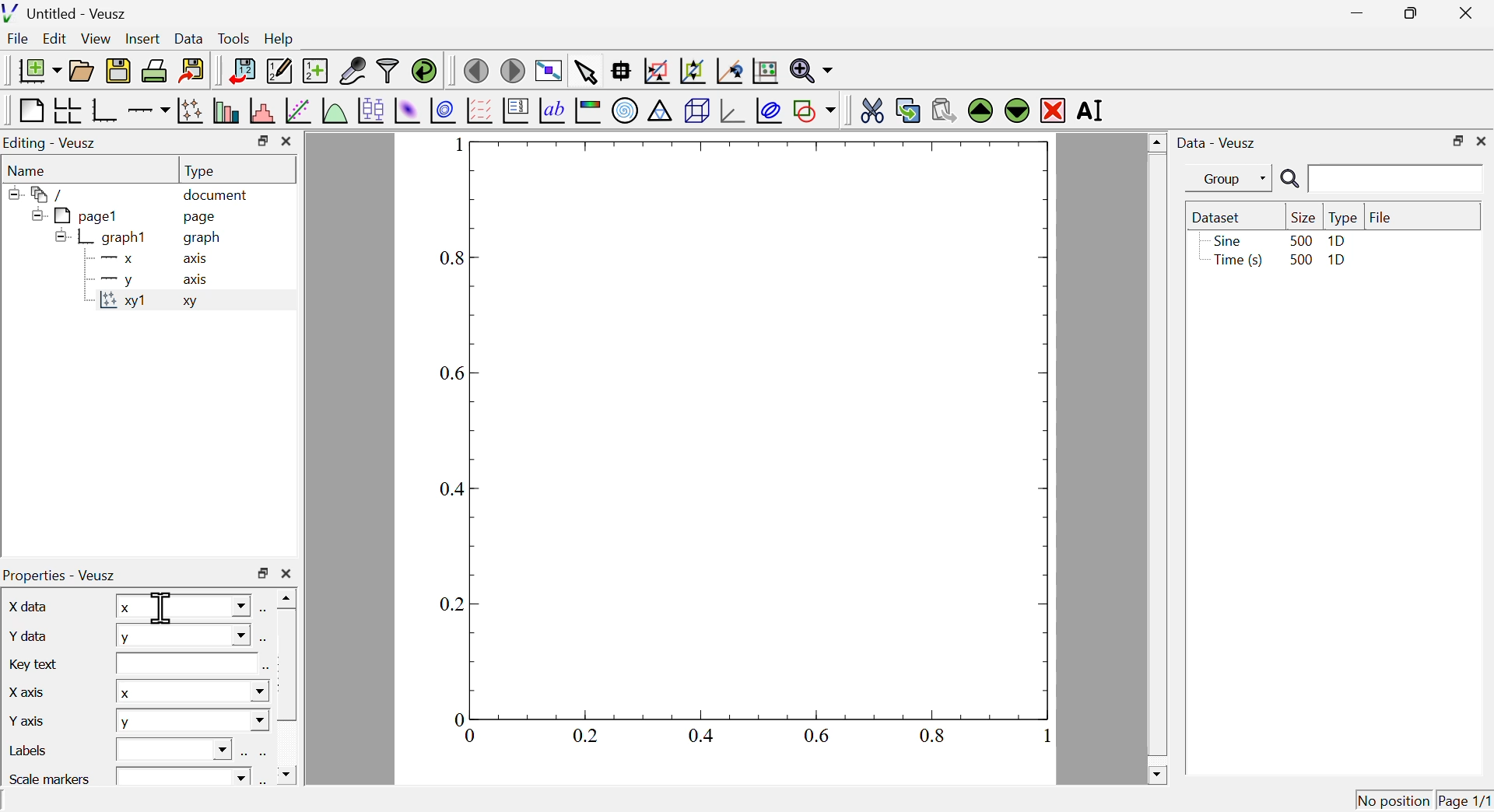  I want to click on 1, so click(451, 145).